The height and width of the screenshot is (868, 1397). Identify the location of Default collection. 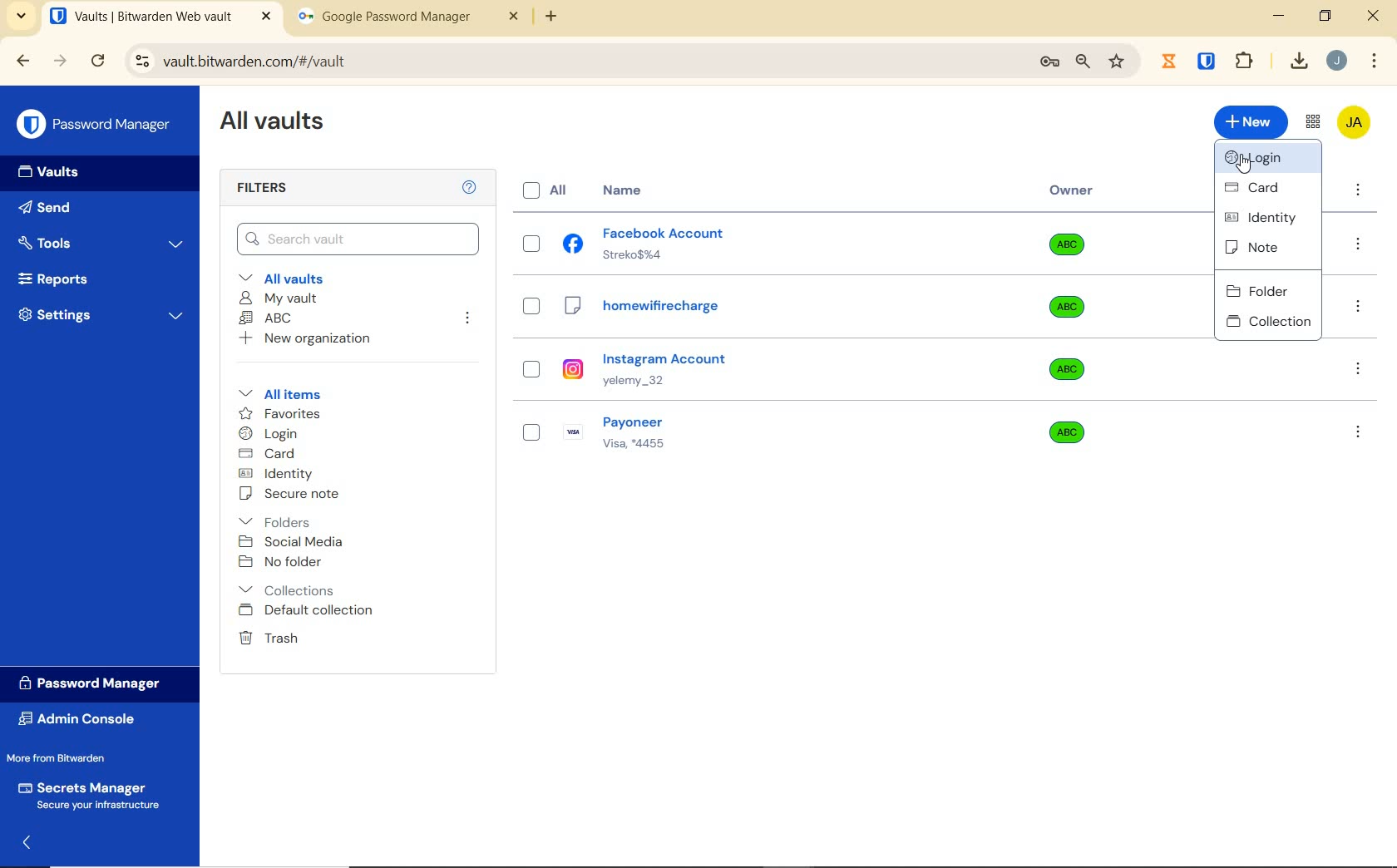
(309, 611).